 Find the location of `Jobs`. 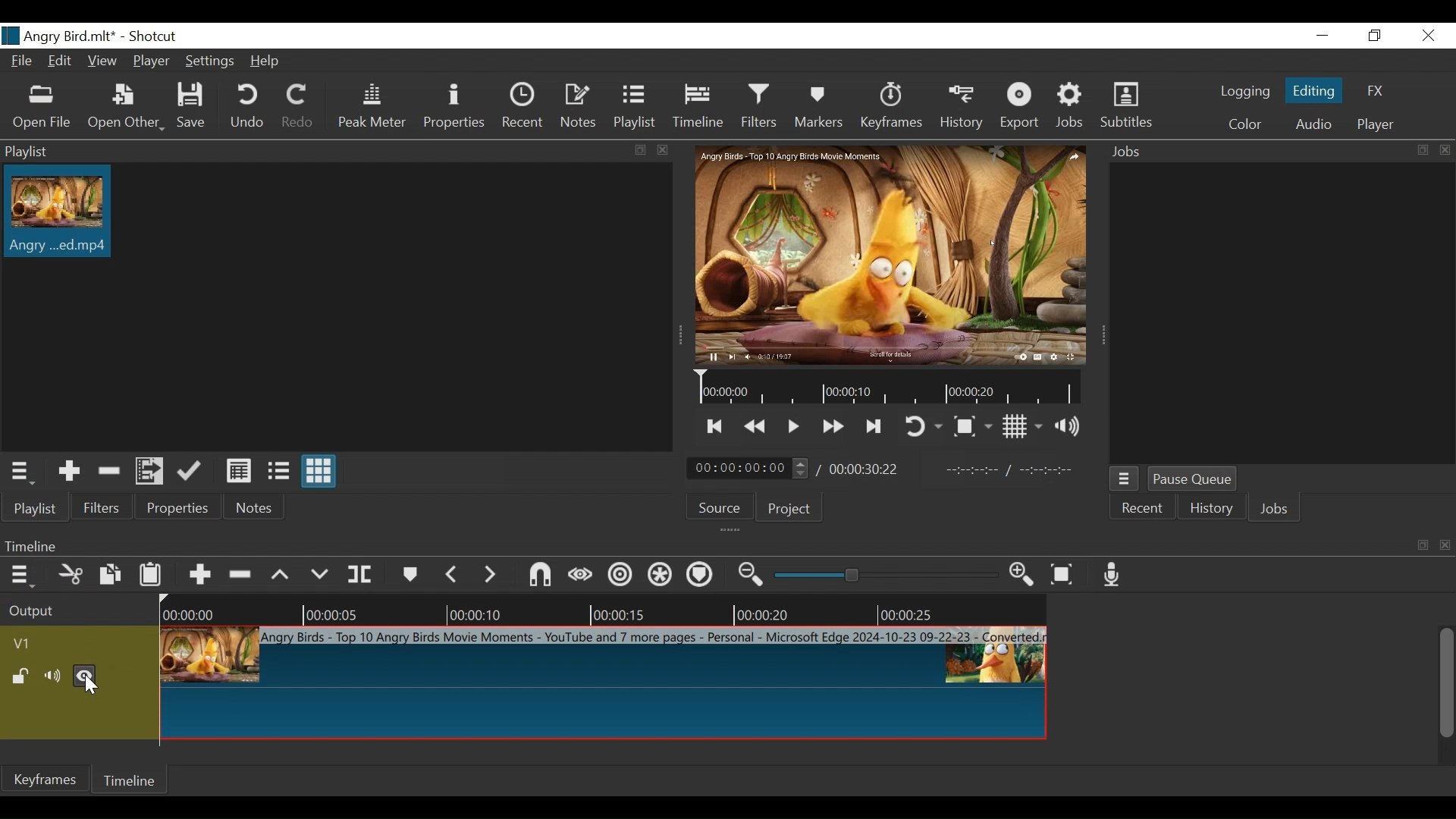

Jobs is located at coordinates (1072, 107).